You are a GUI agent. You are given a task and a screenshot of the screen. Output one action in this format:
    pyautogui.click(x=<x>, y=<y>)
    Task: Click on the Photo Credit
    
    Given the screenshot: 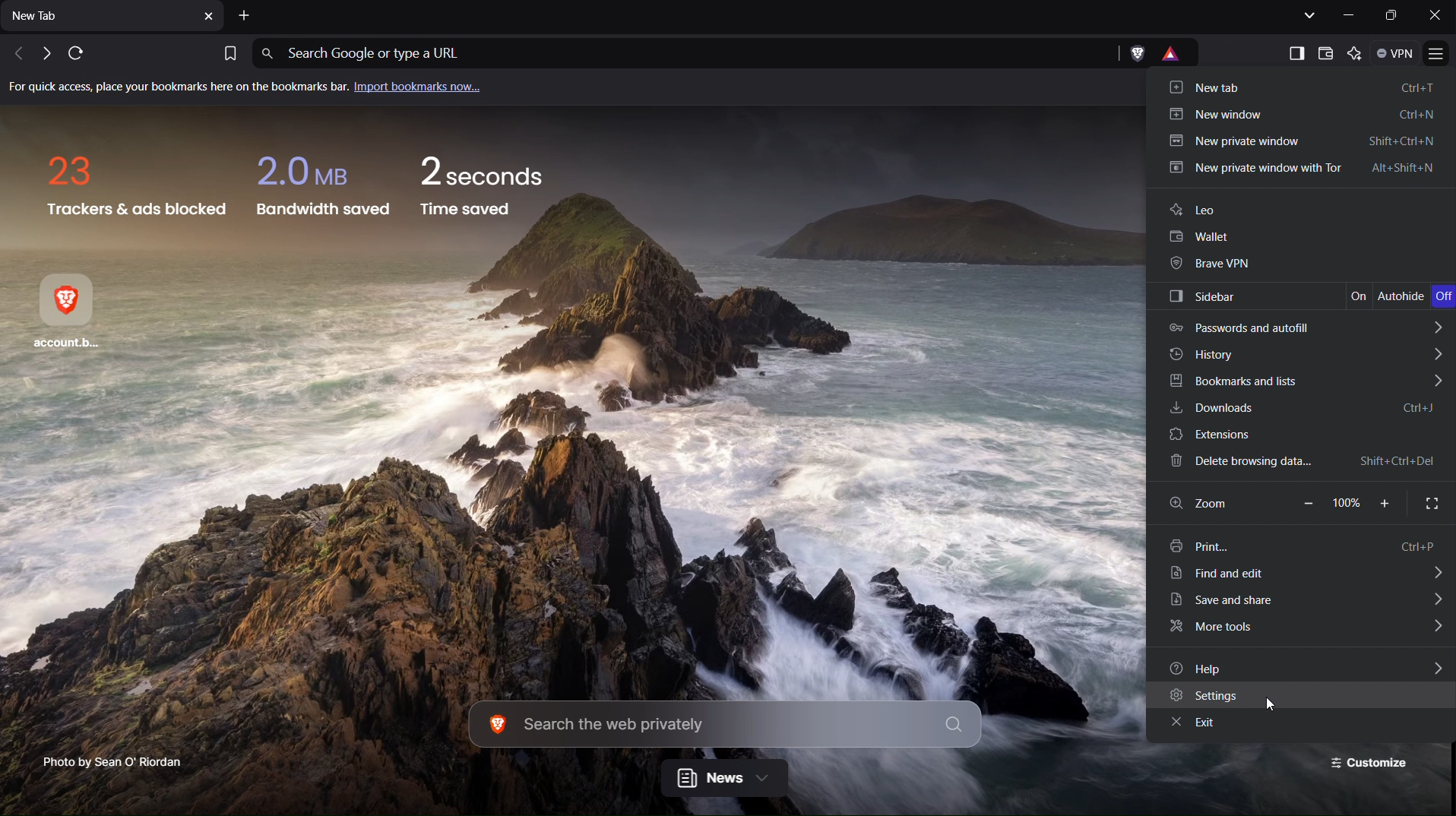 What is the action you would take?
    pyautogui.click(x=106, y=761)
    